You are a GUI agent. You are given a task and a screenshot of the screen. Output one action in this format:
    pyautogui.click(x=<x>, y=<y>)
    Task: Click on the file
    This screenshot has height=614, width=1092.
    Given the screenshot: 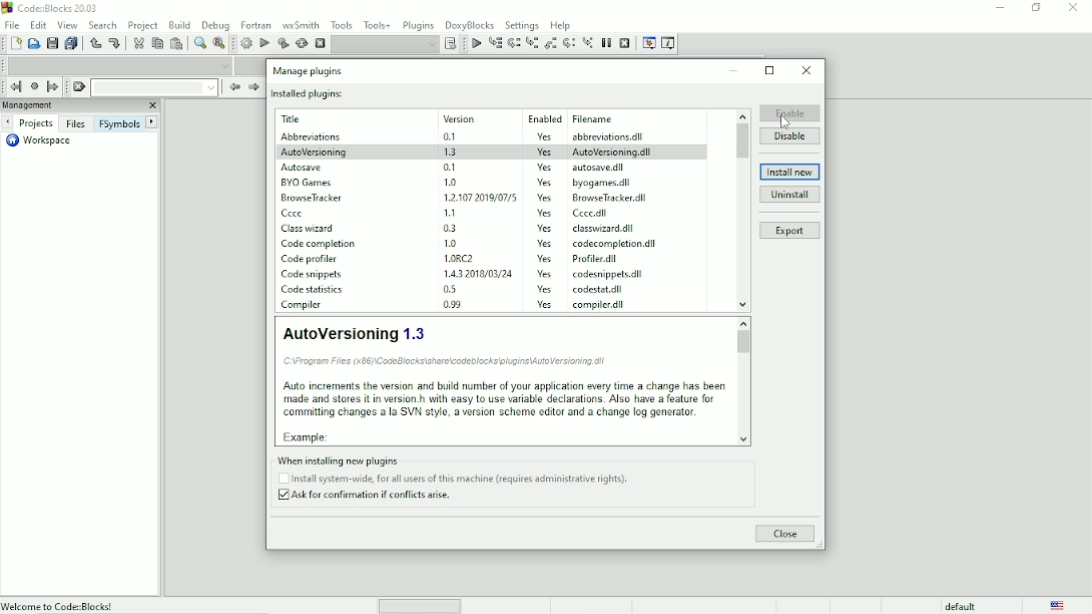 What is the action you would take?
    pyautogui.click(x=603, y=228)
    